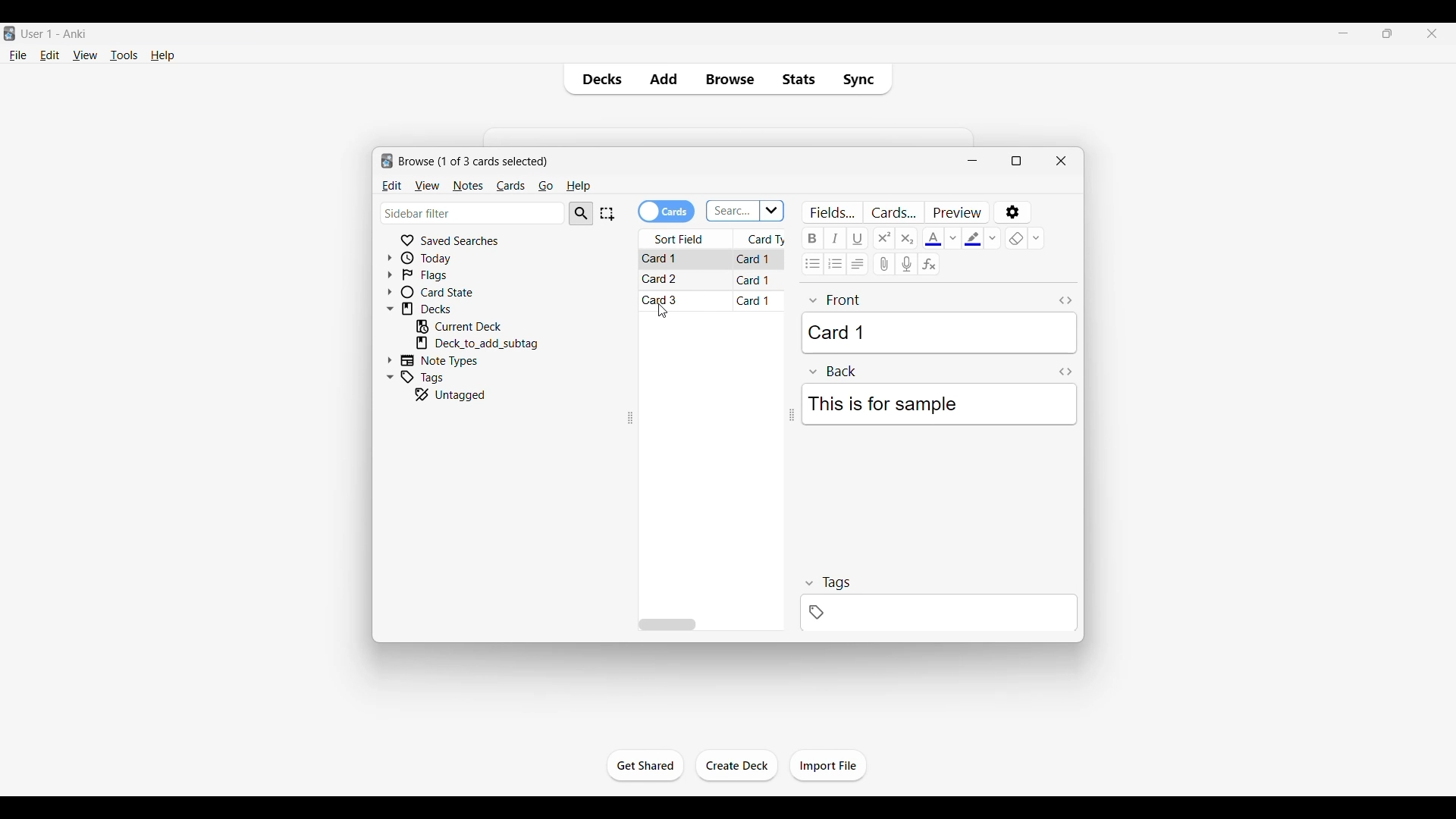  I want to click on Click to go to Saved searches, so click(448, 240).